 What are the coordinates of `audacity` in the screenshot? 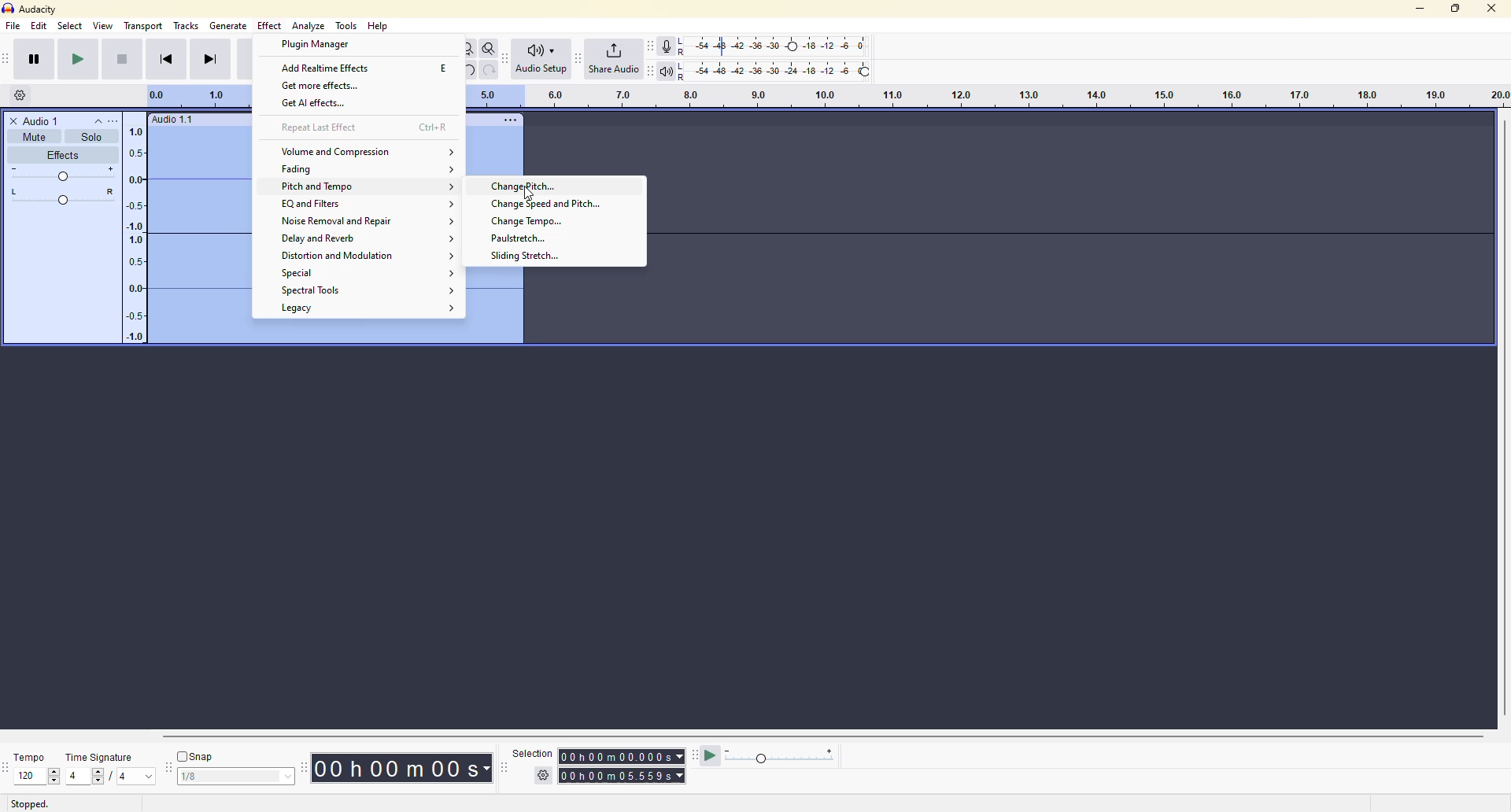 It's located at (29, 9).